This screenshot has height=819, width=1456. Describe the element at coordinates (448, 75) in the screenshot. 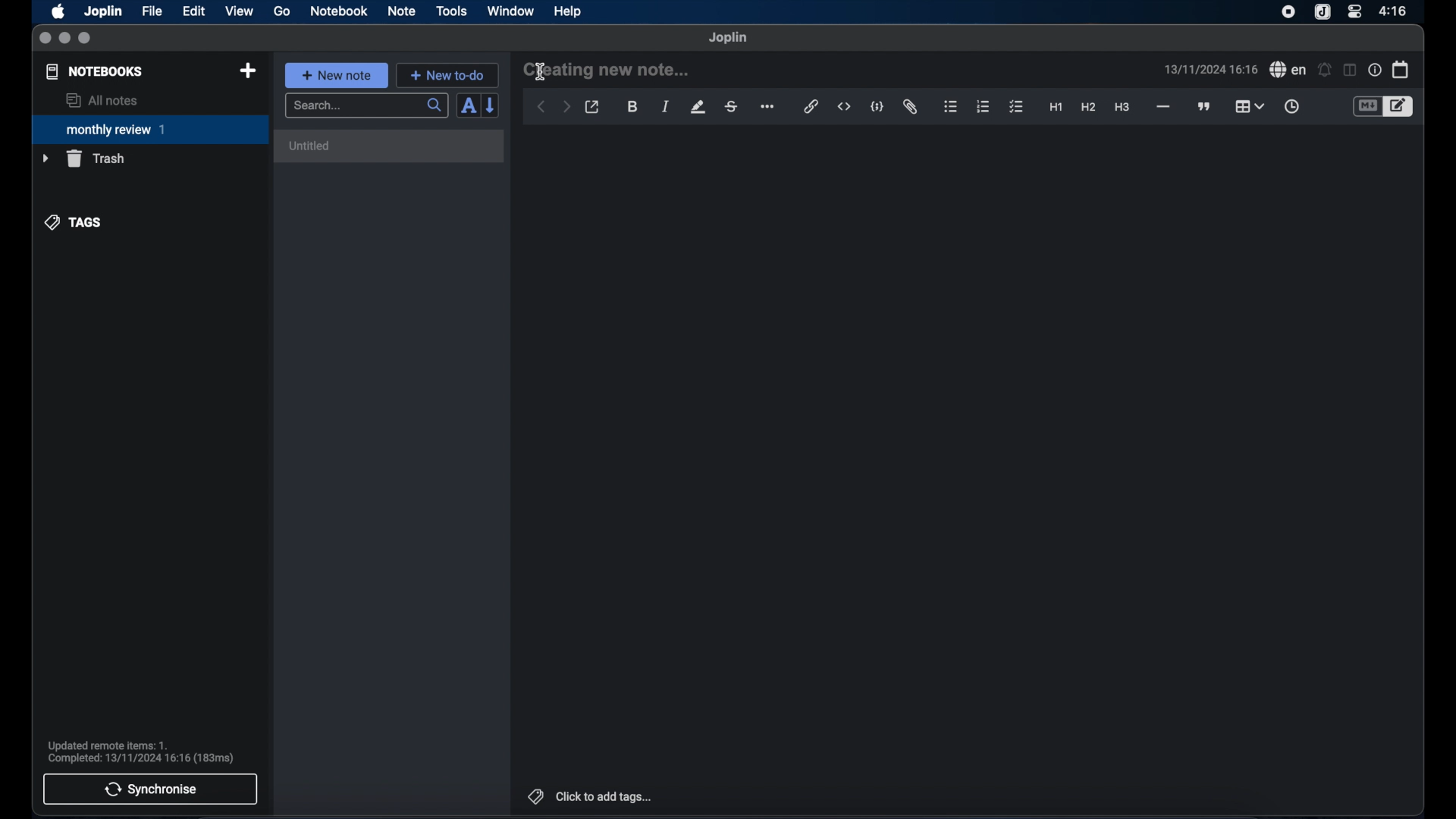

I see `new to-do` at that location.